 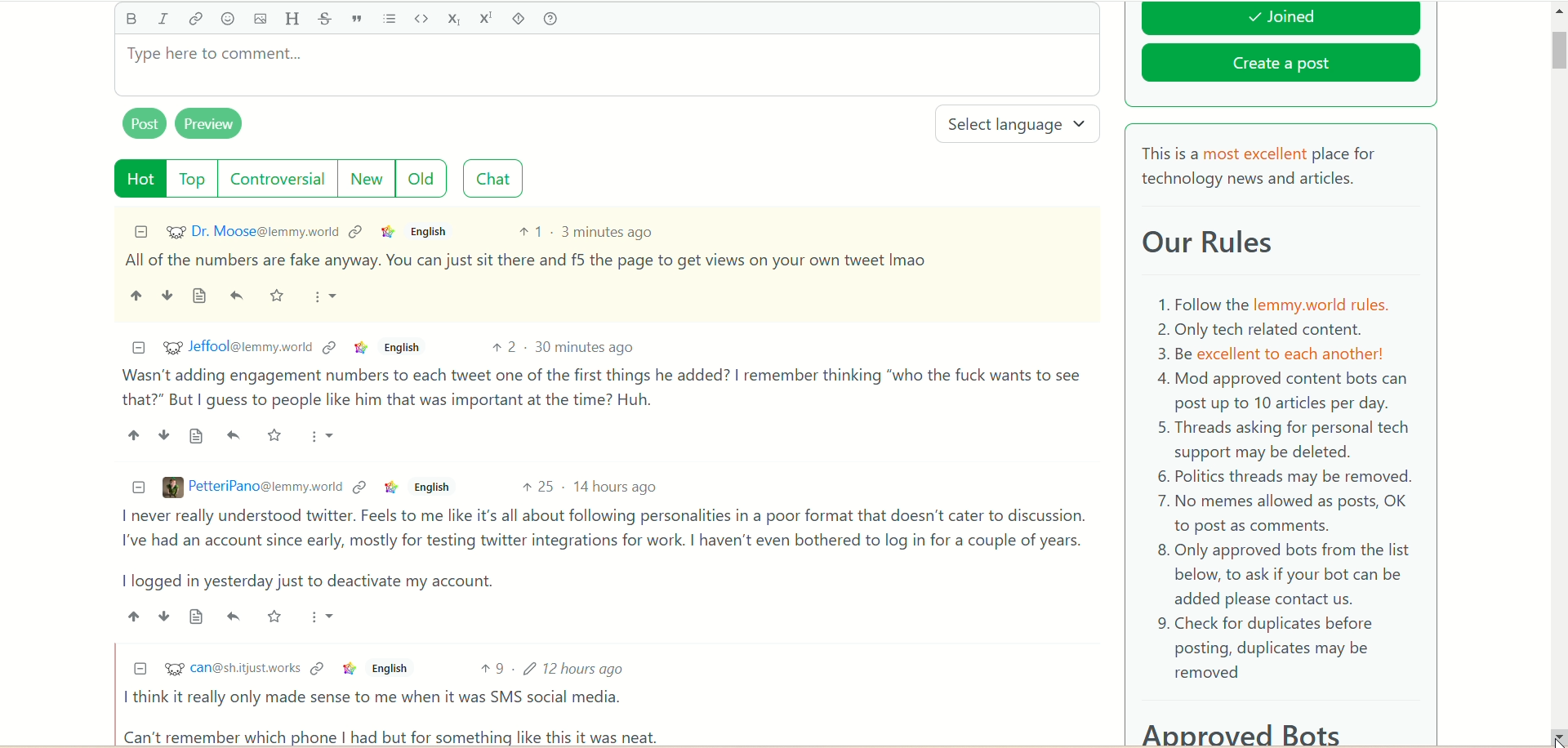 I want to click on code, so click(x=421, y=18).